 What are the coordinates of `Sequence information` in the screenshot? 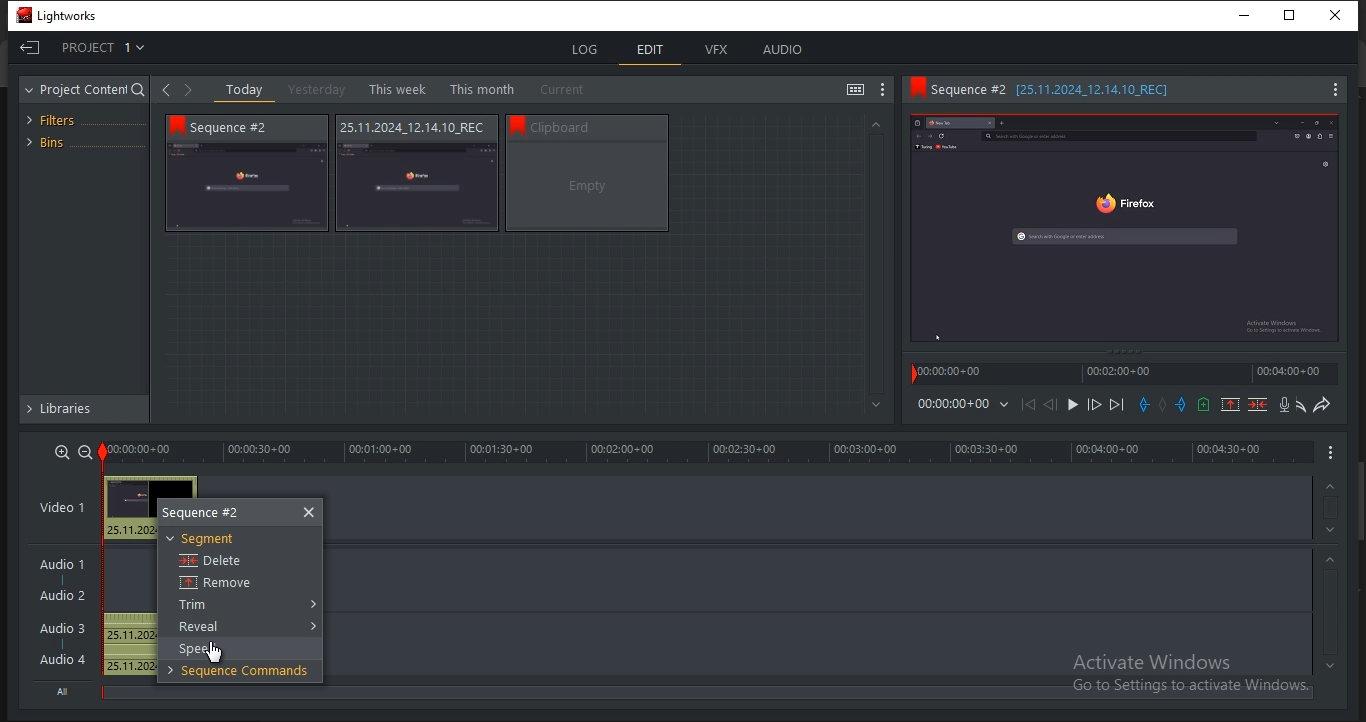 It's located at (602, 126).